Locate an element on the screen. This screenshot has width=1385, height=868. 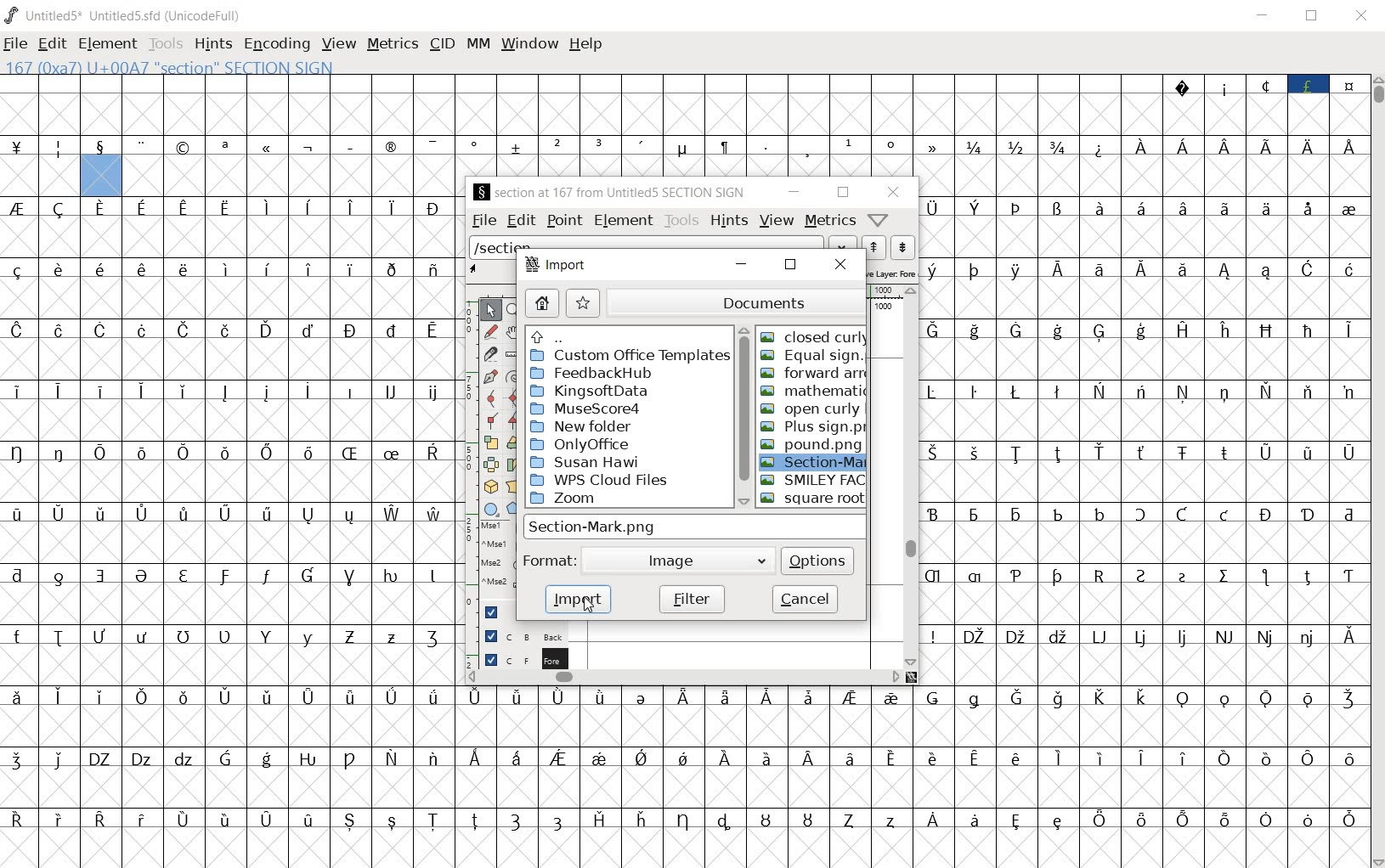
TOOLS is located at coordinates (166, 44).